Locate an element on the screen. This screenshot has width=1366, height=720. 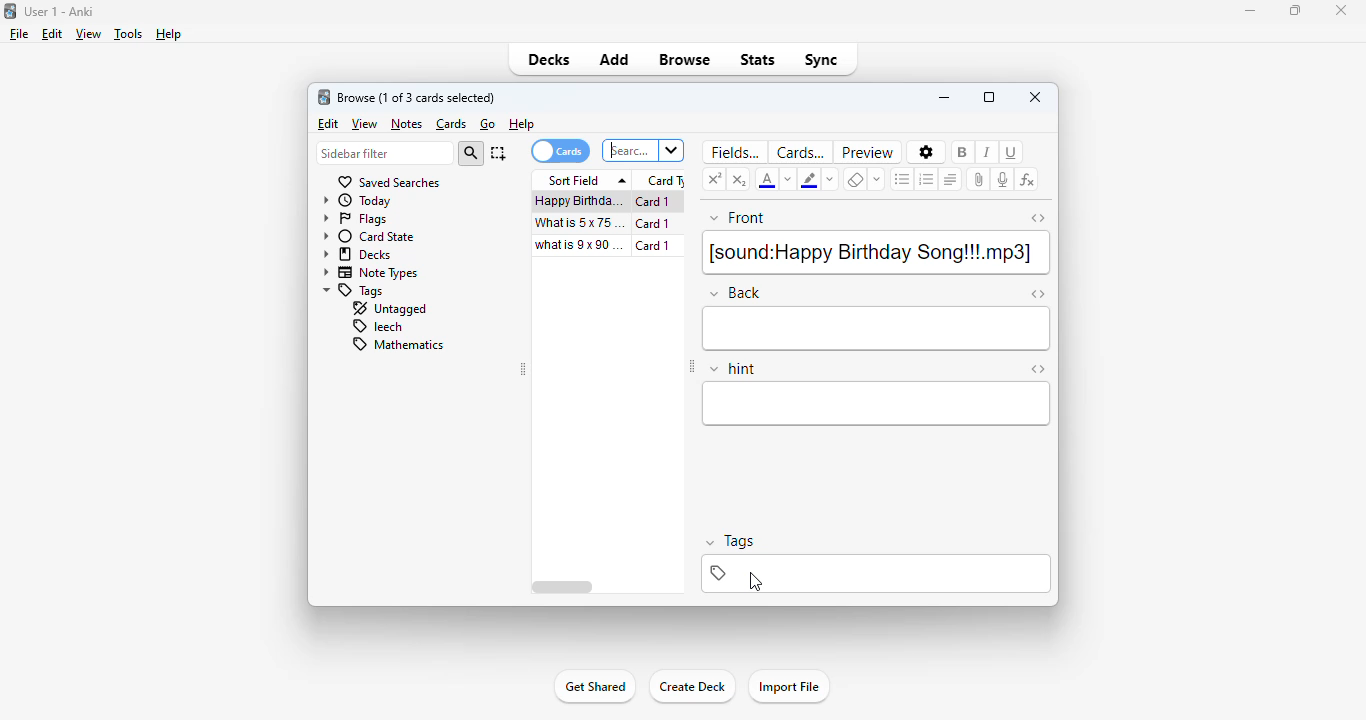
attach pictures/audio/video is located at coordinates (978, 180).